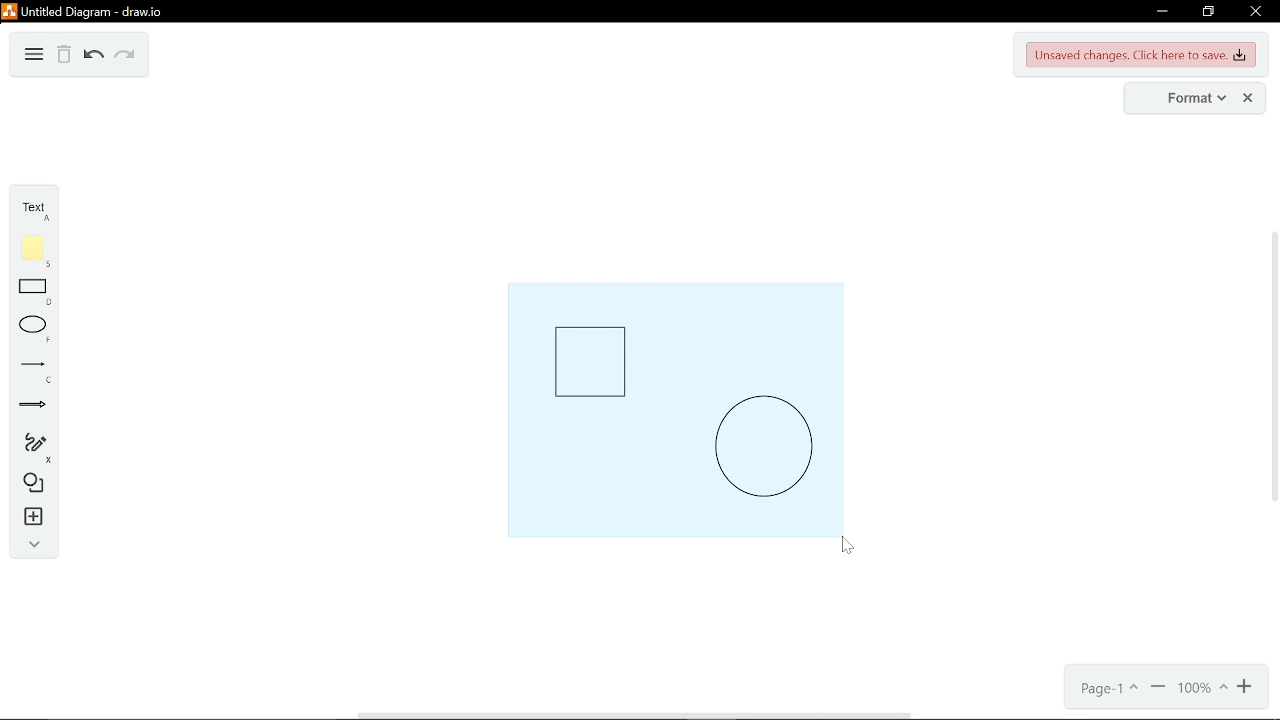  What do you see at coordinates (1107, 689) in the screenshot?
I see `current page` at bounding box center [1107, 689].